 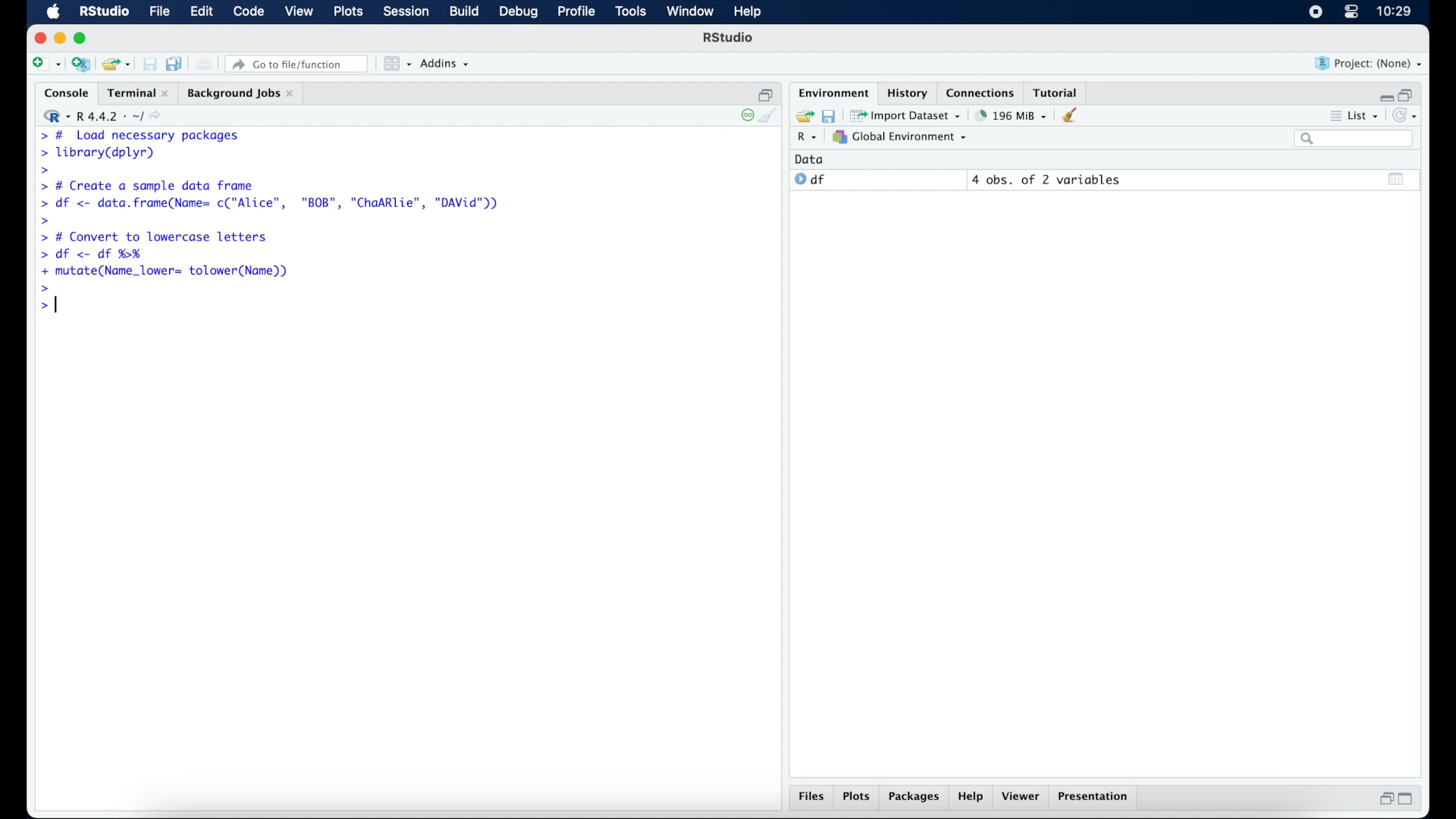 I want to click on clear workspace, so click(x=1075, y=116).